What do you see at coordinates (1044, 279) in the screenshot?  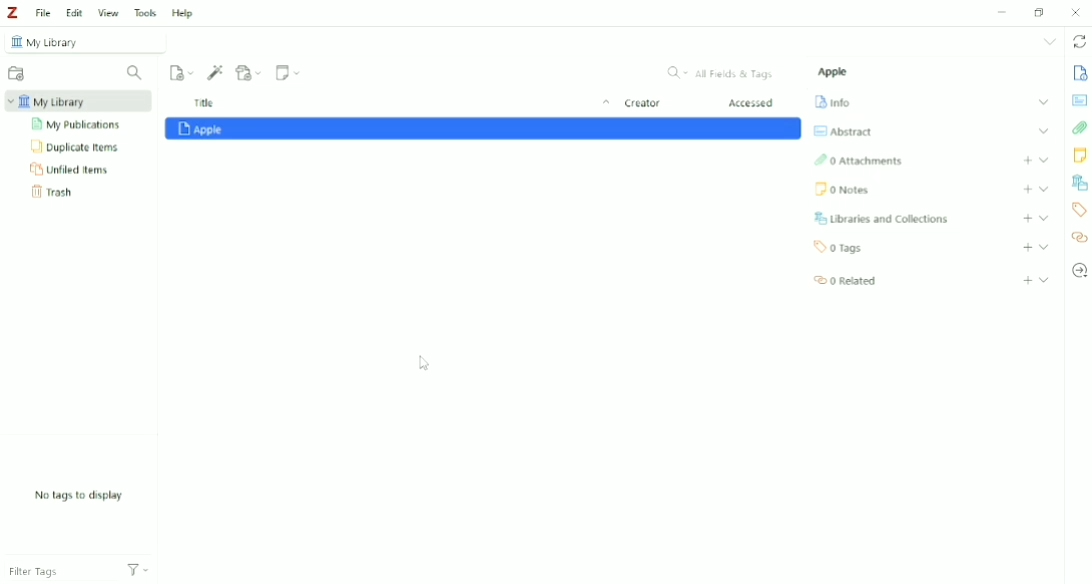 I see `Expand section` at bounding box center [1044, 279].